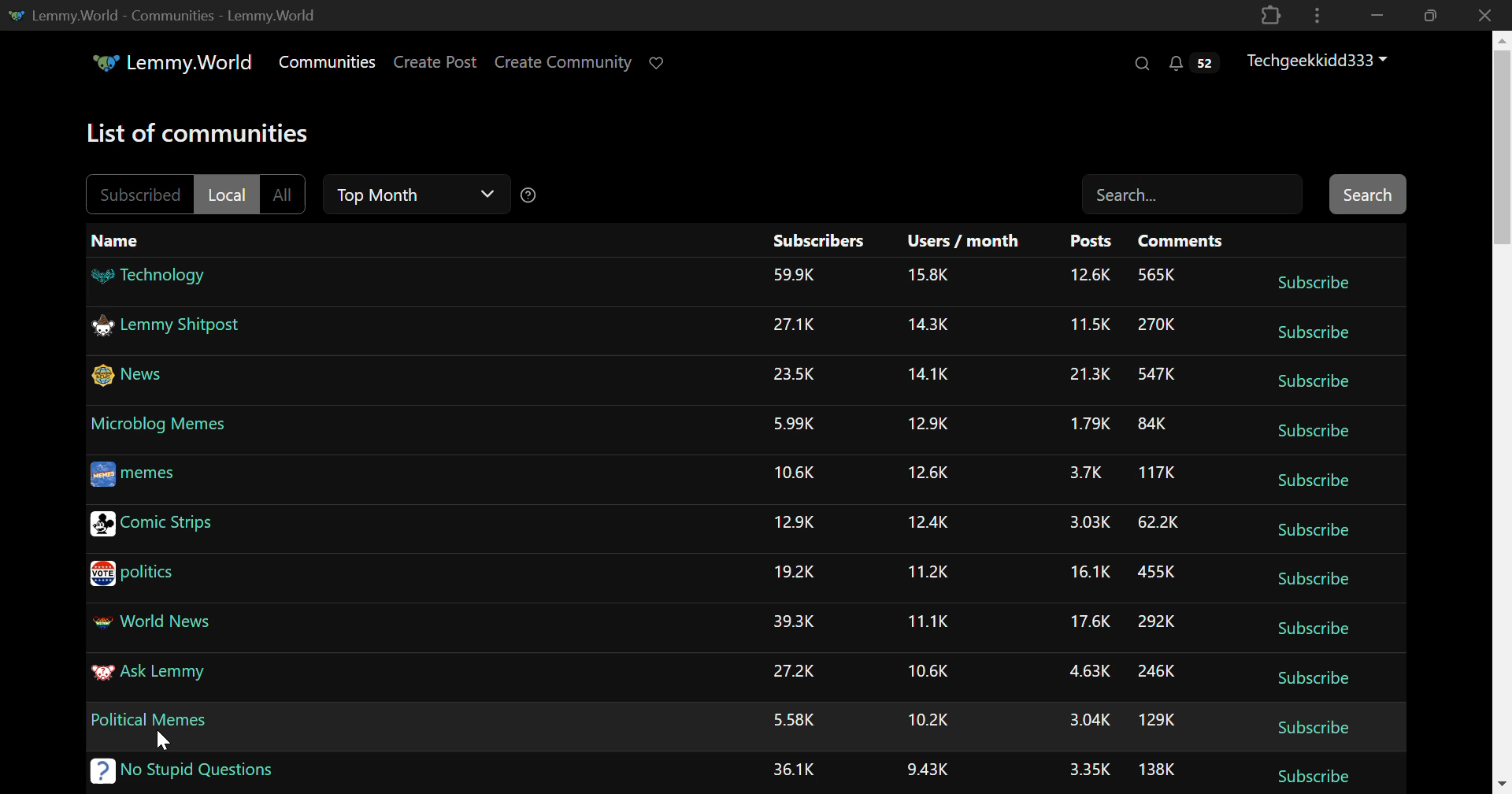 Image resolution: width=1512 pixels, height=794 pixels. Describe the element at coordinates (132, 477) in the screenshot. I see `memes` at that location.